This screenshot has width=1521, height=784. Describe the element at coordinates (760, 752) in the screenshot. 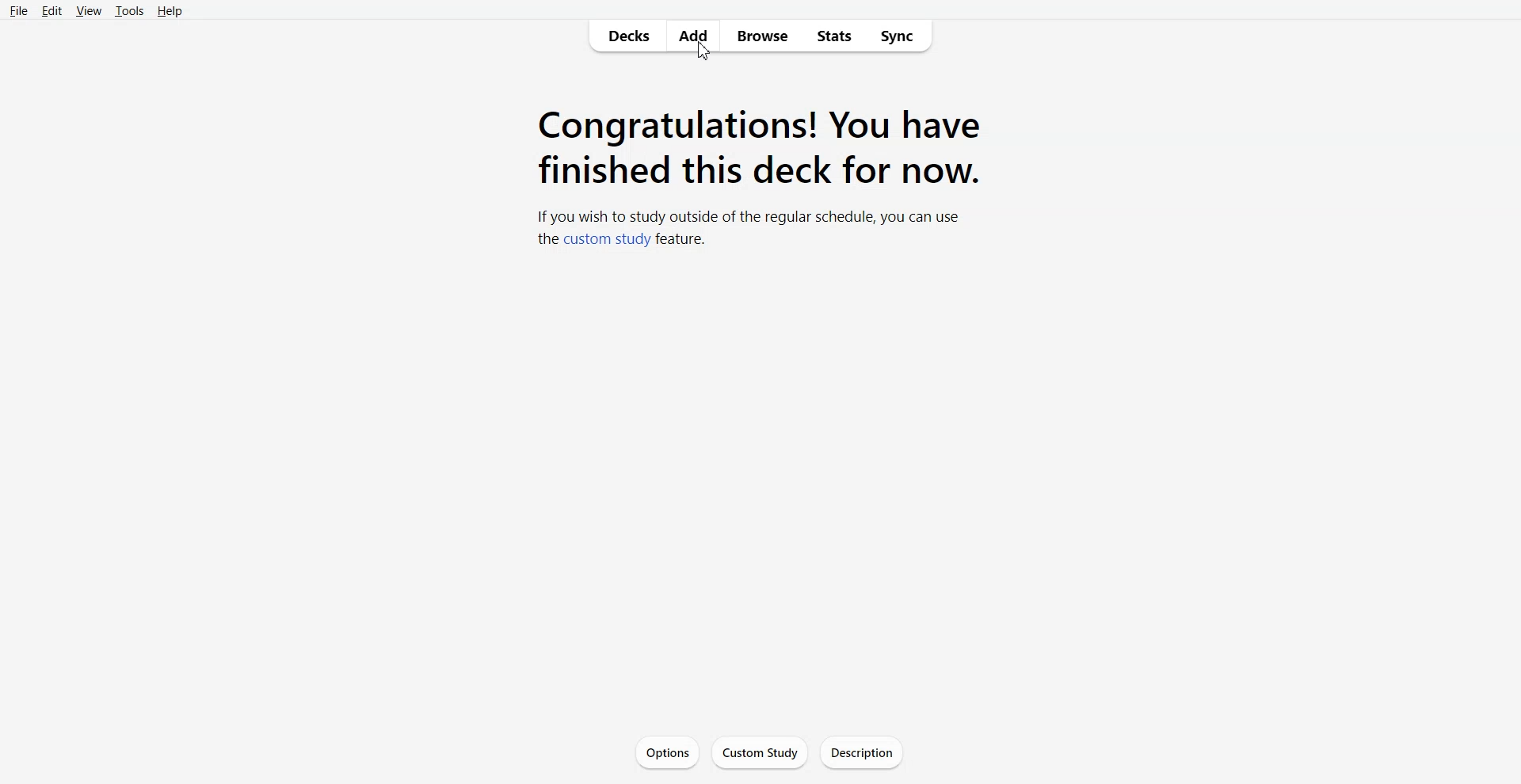

I see `Custom Study` at that location.